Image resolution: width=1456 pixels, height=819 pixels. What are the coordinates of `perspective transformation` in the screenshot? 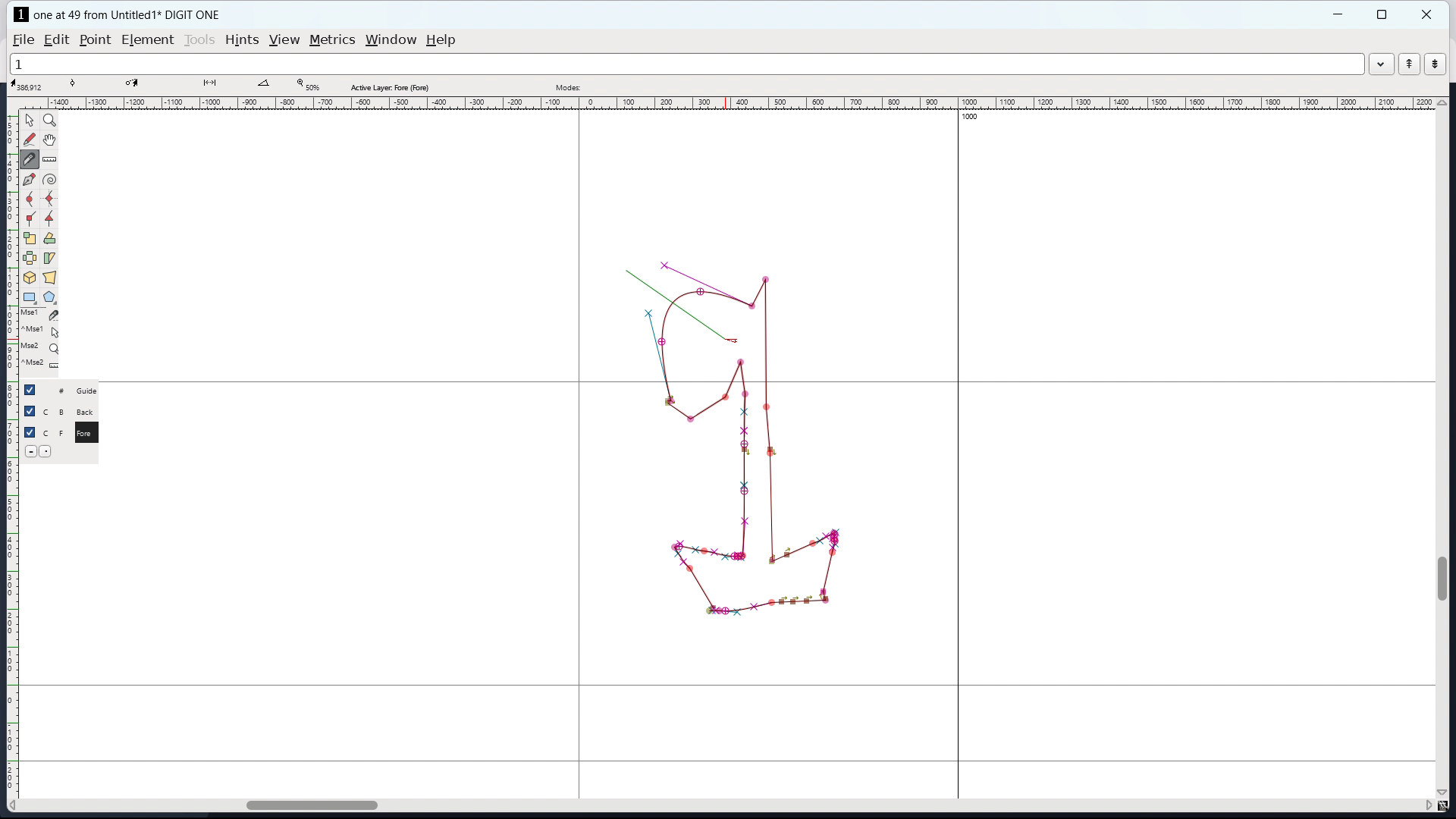 It's located at (50, 278).